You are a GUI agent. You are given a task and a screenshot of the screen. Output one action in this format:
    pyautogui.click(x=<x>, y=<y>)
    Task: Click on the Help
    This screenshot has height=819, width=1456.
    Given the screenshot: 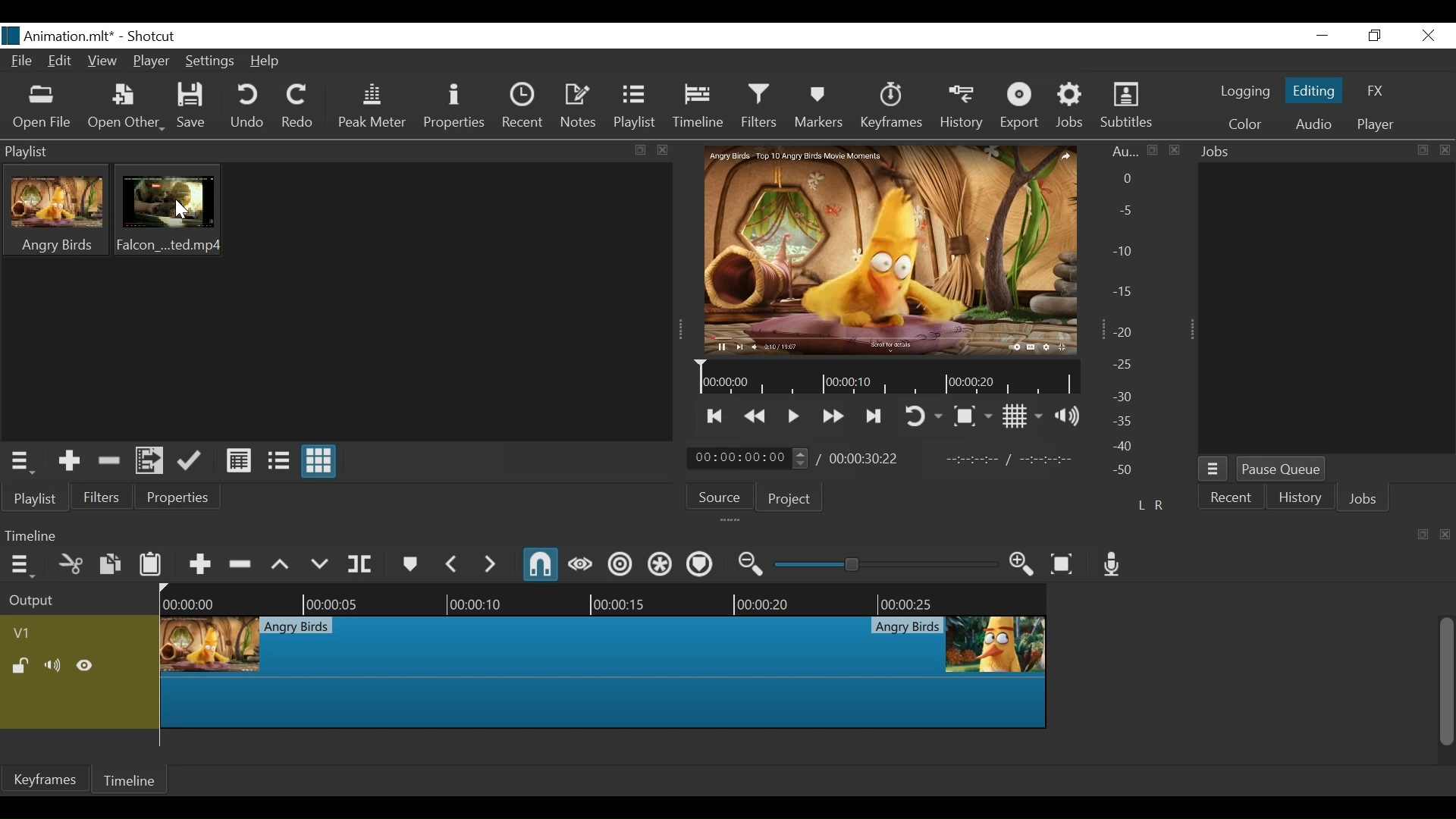 What is the action you would take?
    pyautogui.click(x=265, y=61)
    